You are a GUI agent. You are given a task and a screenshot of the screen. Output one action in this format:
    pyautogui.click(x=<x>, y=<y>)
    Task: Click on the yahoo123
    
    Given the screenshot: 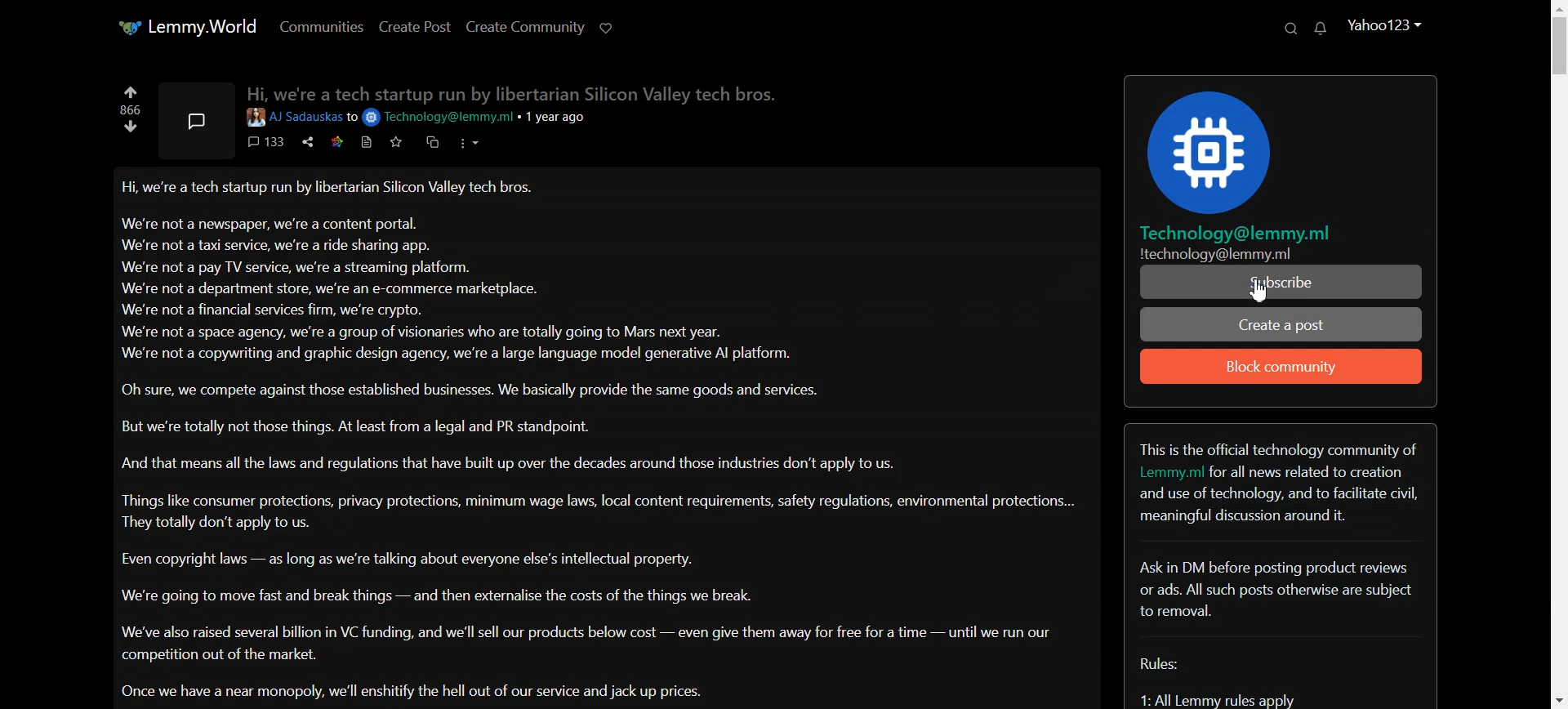 What is the action you would take?
    pyautogui.click(x=1383, y=25)
    